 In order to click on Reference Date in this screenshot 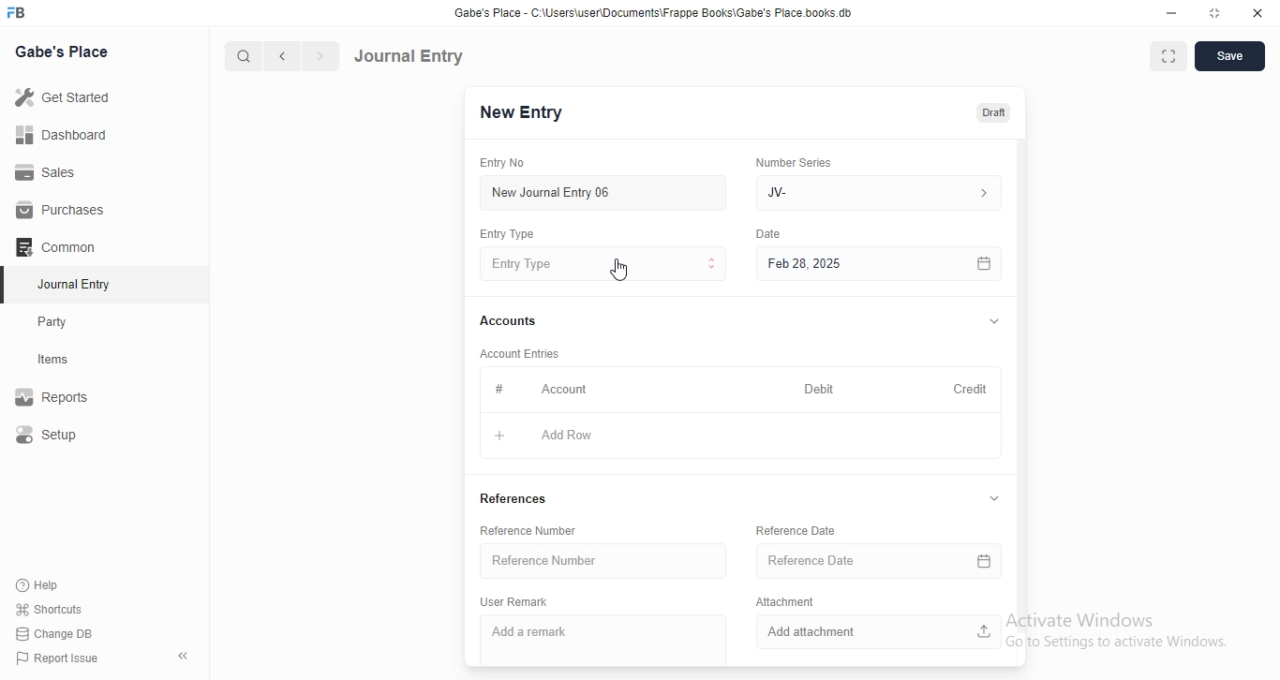, I will do `click(856, 561)`.